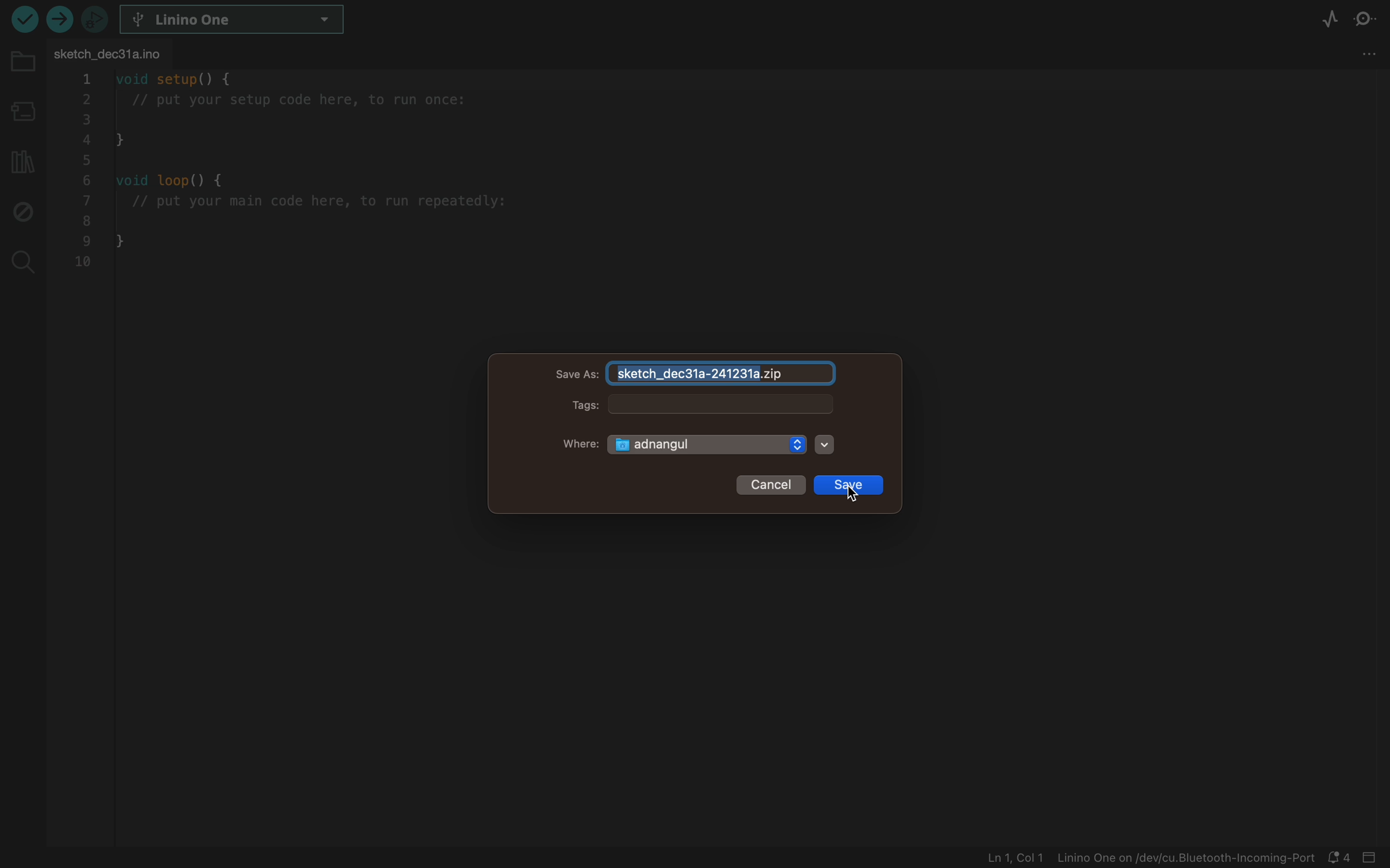  Describe the element at coordinates (1338, 859) in the screenshot. I see `notification` at that location.